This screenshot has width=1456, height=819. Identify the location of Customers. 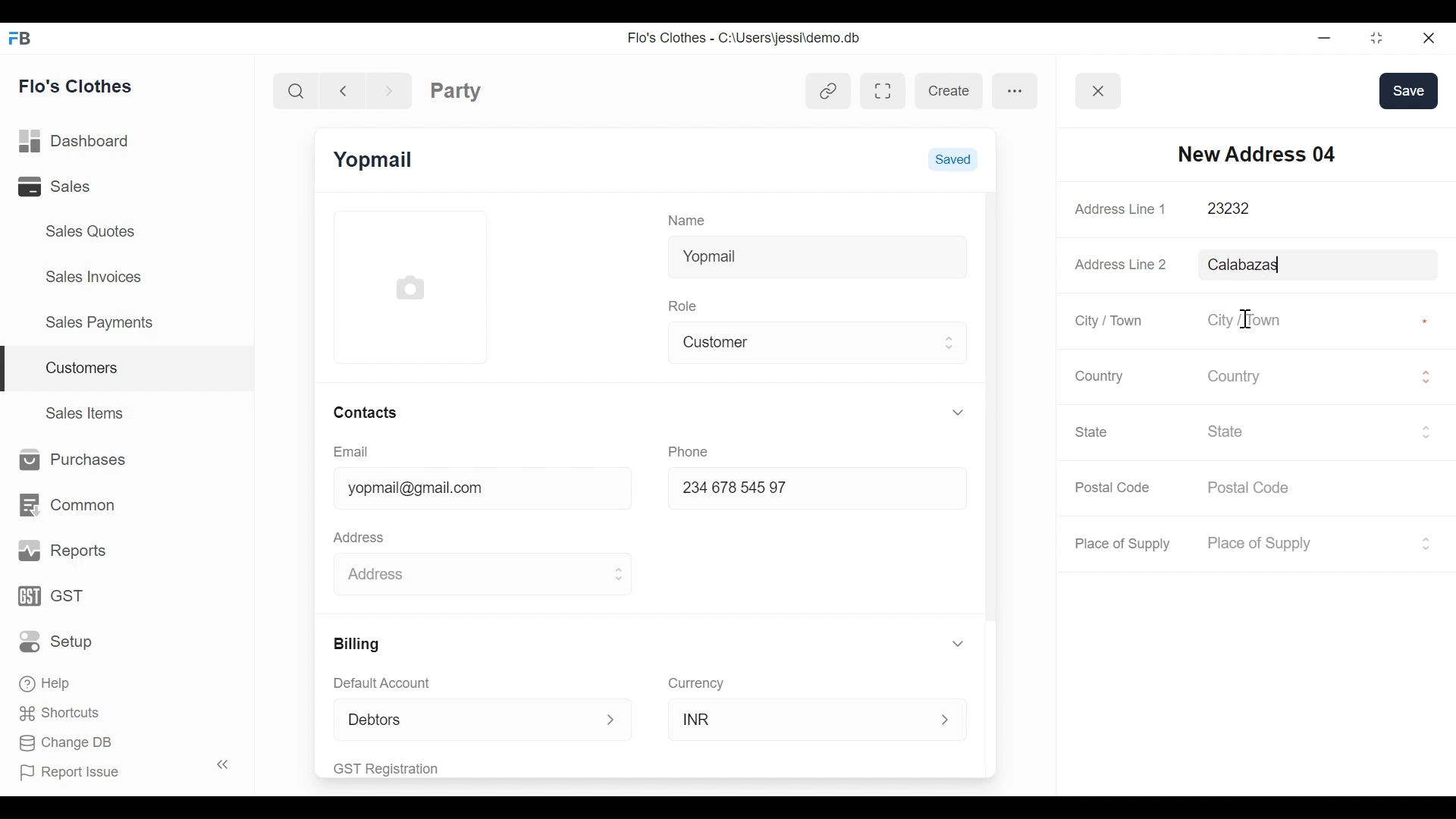
(129, 369).